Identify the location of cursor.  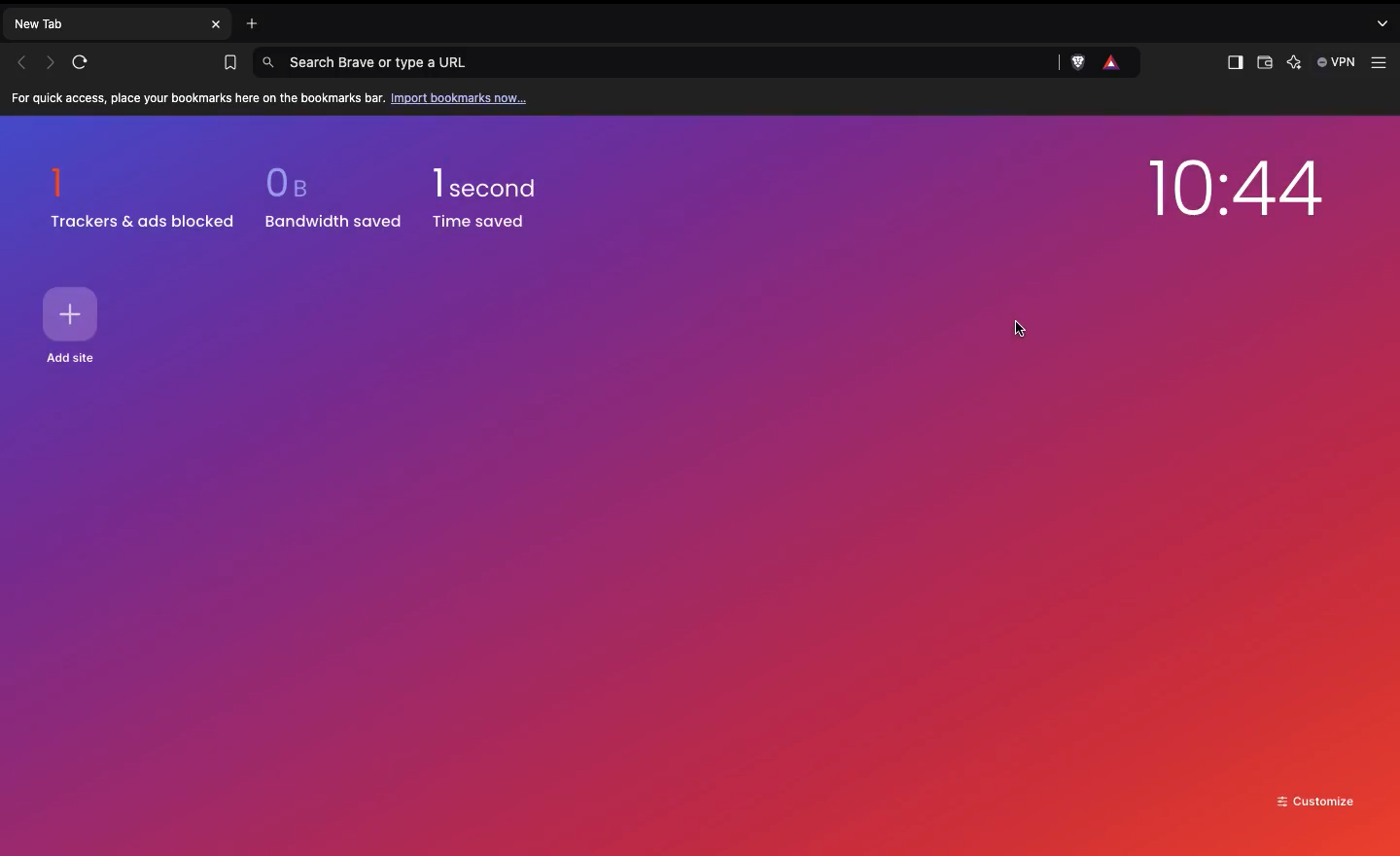
(1018, 325).